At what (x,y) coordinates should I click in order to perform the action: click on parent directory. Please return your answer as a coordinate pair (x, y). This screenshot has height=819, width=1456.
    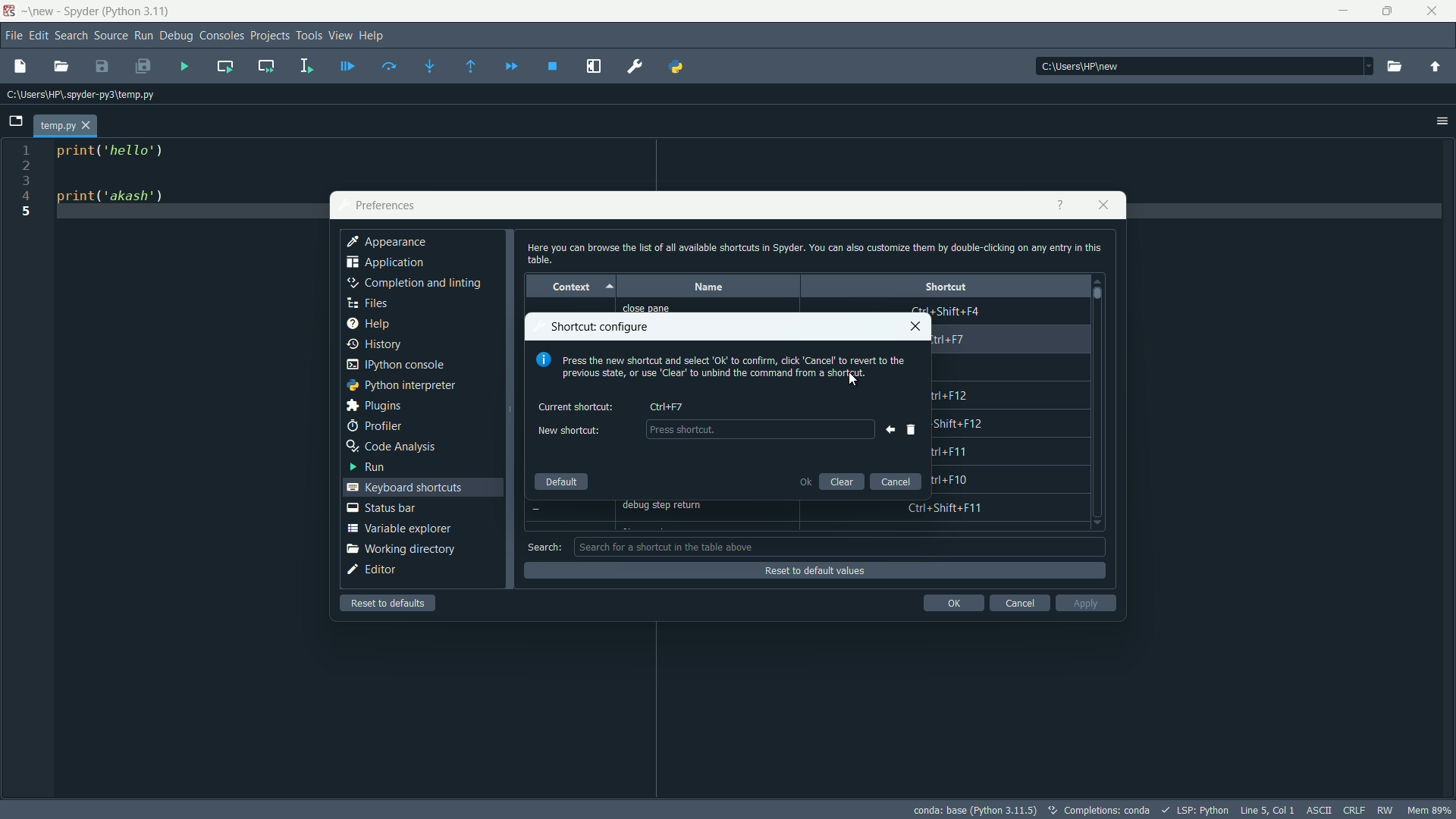
    Looking at the image, I should click on (1435, 69).